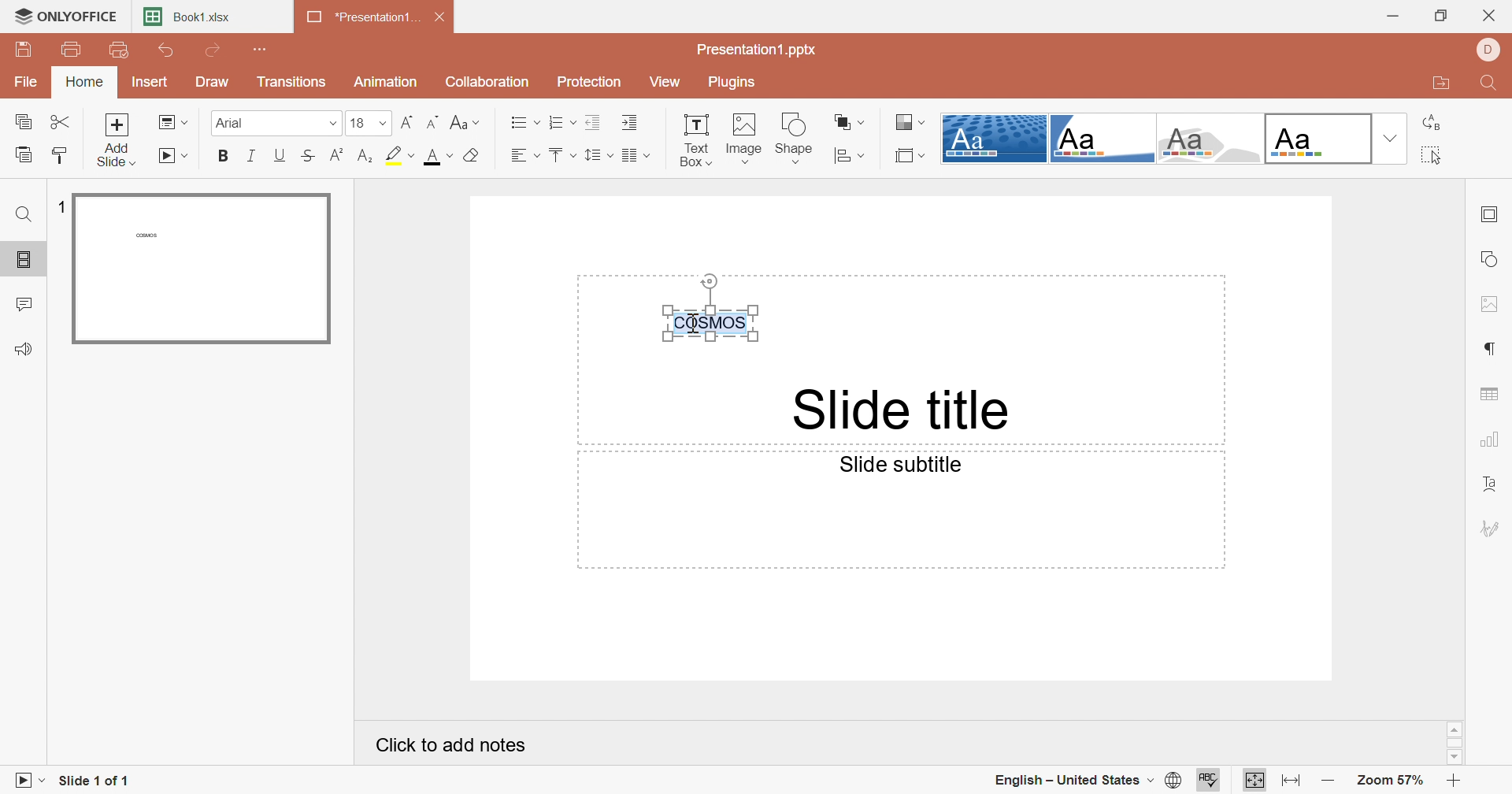 The image size is (1512, 794). I want to click on Strikethrough, so click(309, 157).